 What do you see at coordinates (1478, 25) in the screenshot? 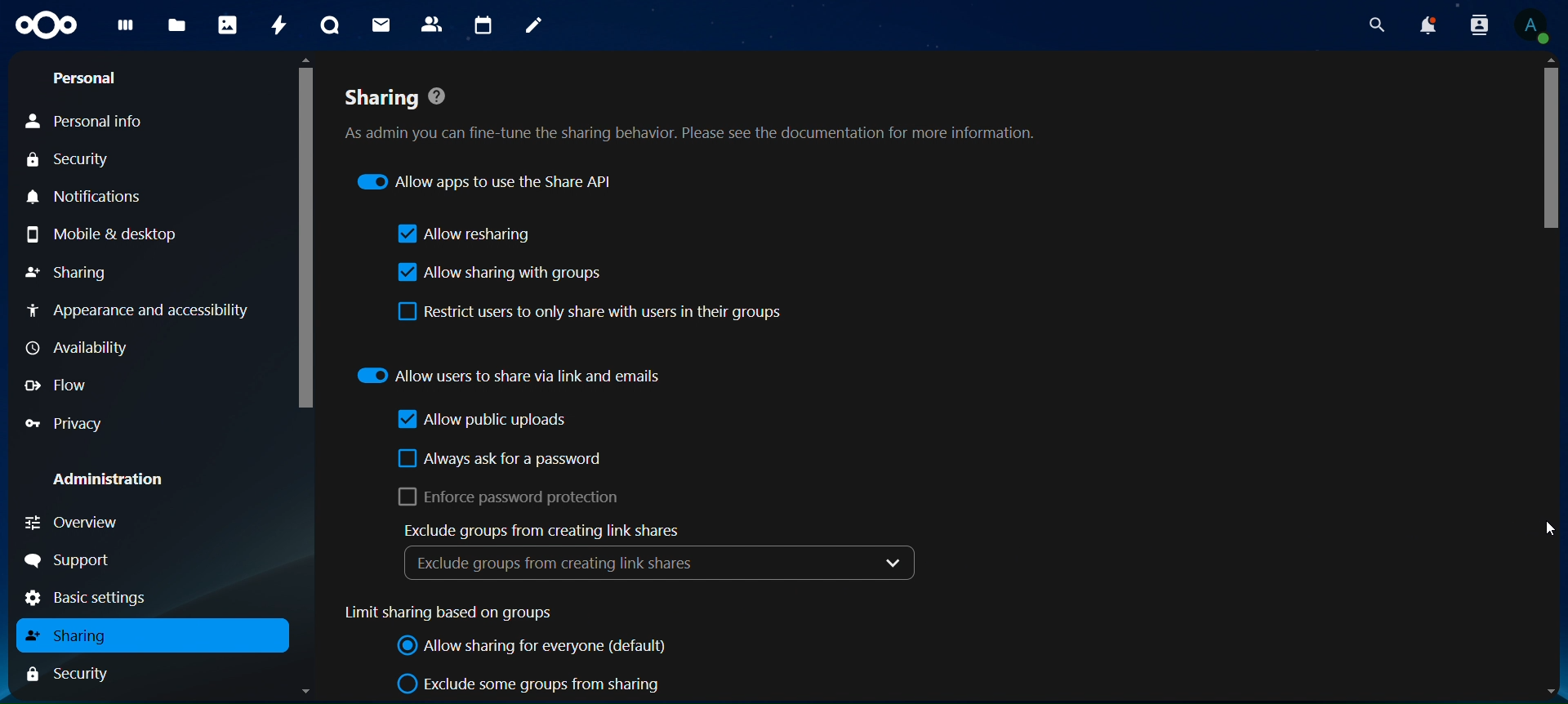
I see `search contacts` at bounding box center [1478, 25].